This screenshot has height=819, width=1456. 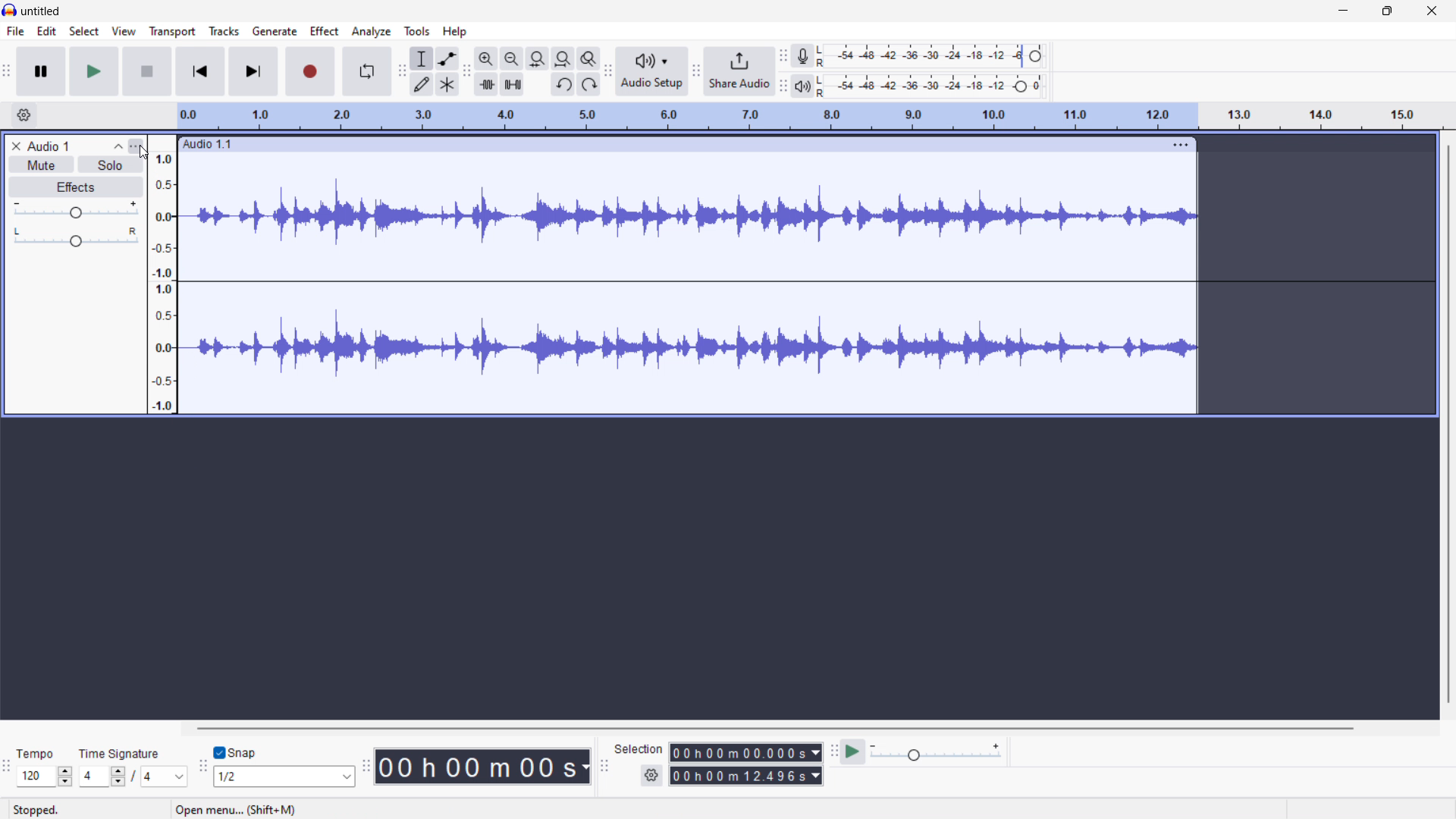 I want to click on untitled, so click(x=39, y=11).